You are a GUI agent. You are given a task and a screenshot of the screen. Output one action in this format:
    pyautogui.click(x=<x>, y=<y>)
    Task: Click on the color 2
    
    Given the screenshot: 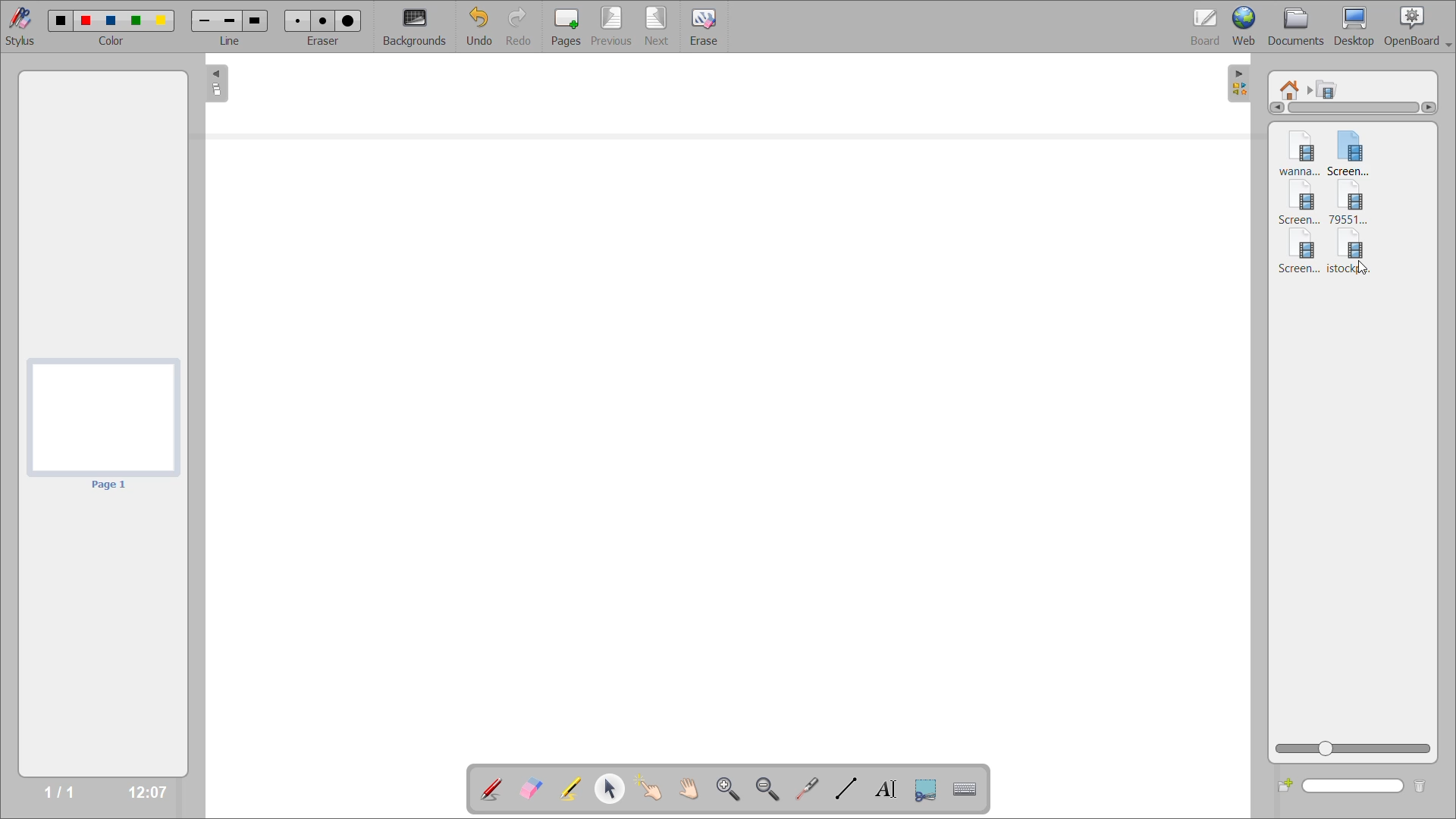 What is the action you would take?
    pyautogui.click(x=86, y=20)
    